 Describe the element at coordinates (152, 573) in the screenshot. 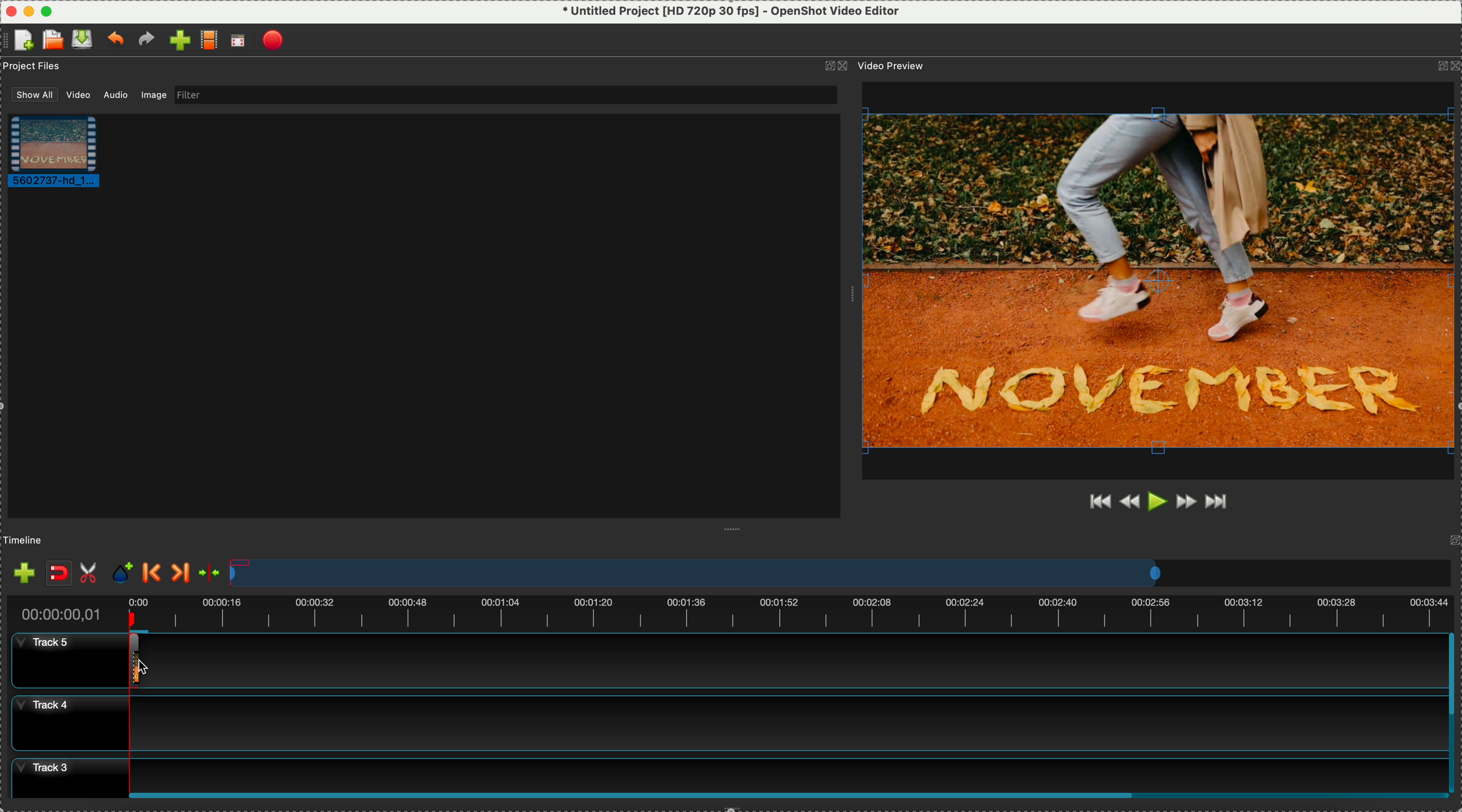

I see `previous marker` at that location.